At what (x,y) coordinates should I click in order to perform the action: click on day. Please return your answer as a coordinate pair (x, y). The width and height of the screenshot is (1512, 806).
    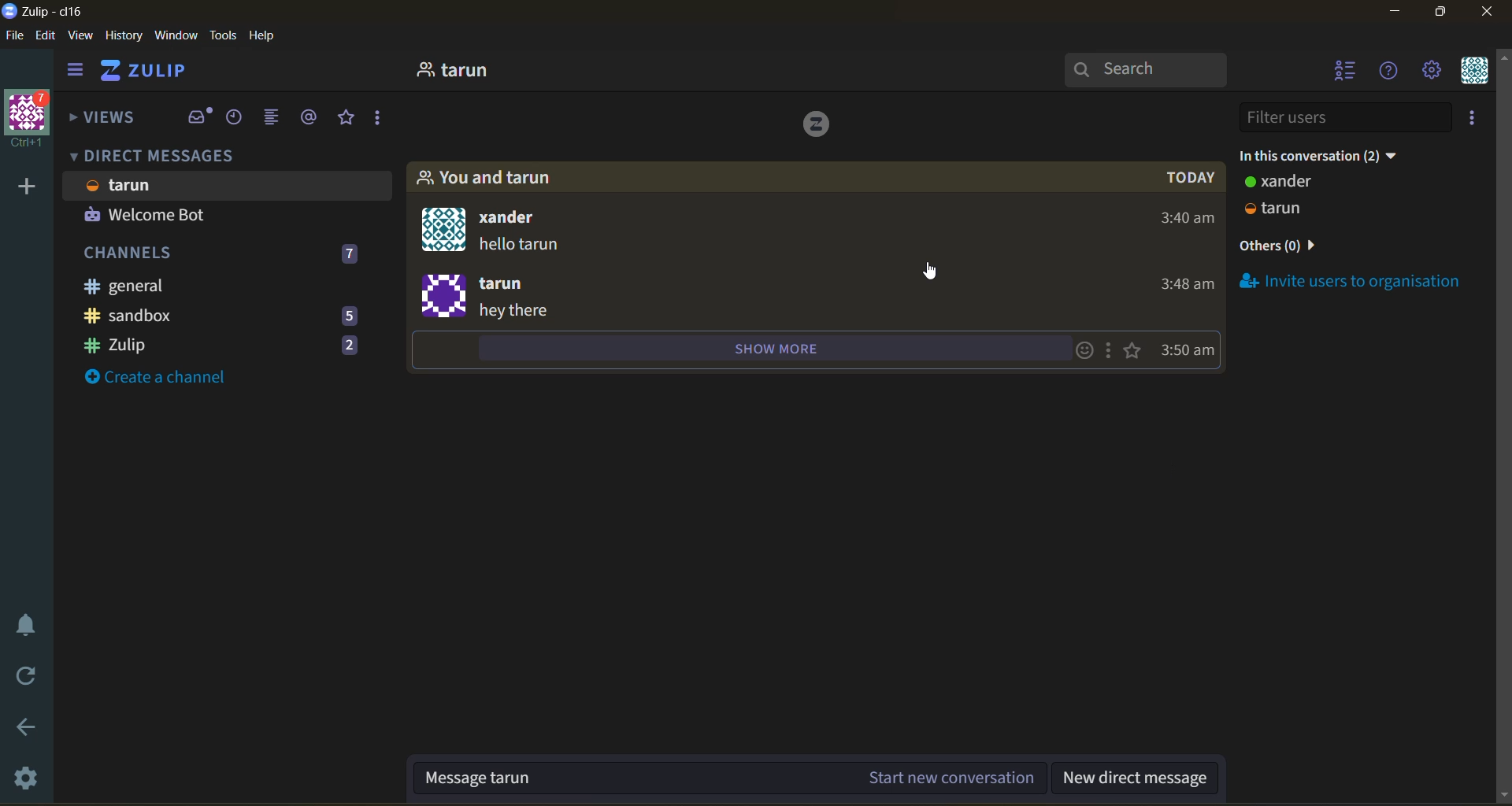
    Looking at the image, I should click on (1194, 179).